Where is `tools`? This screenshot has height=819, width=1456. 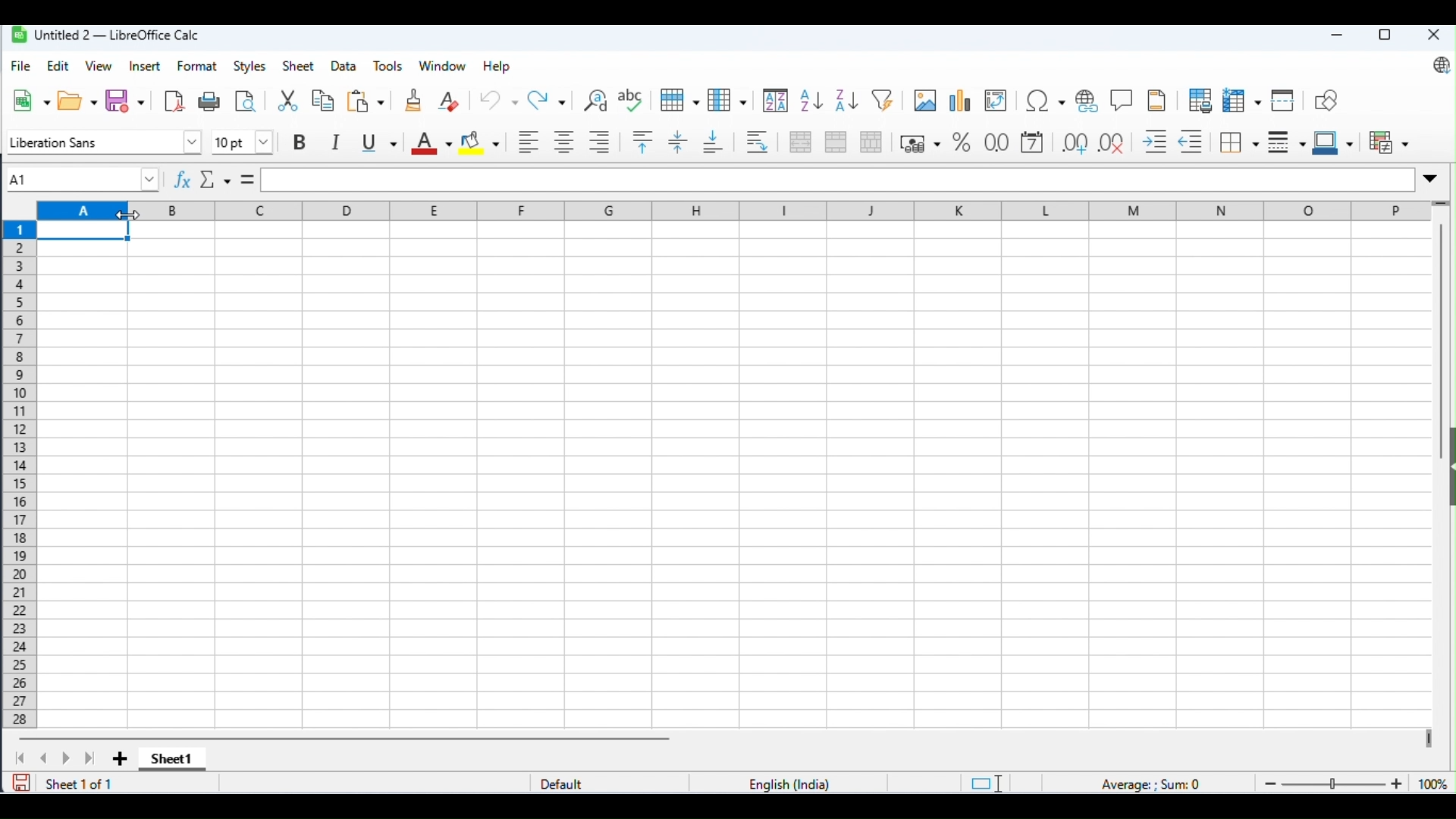
tools is located at coordinates (390, 67).